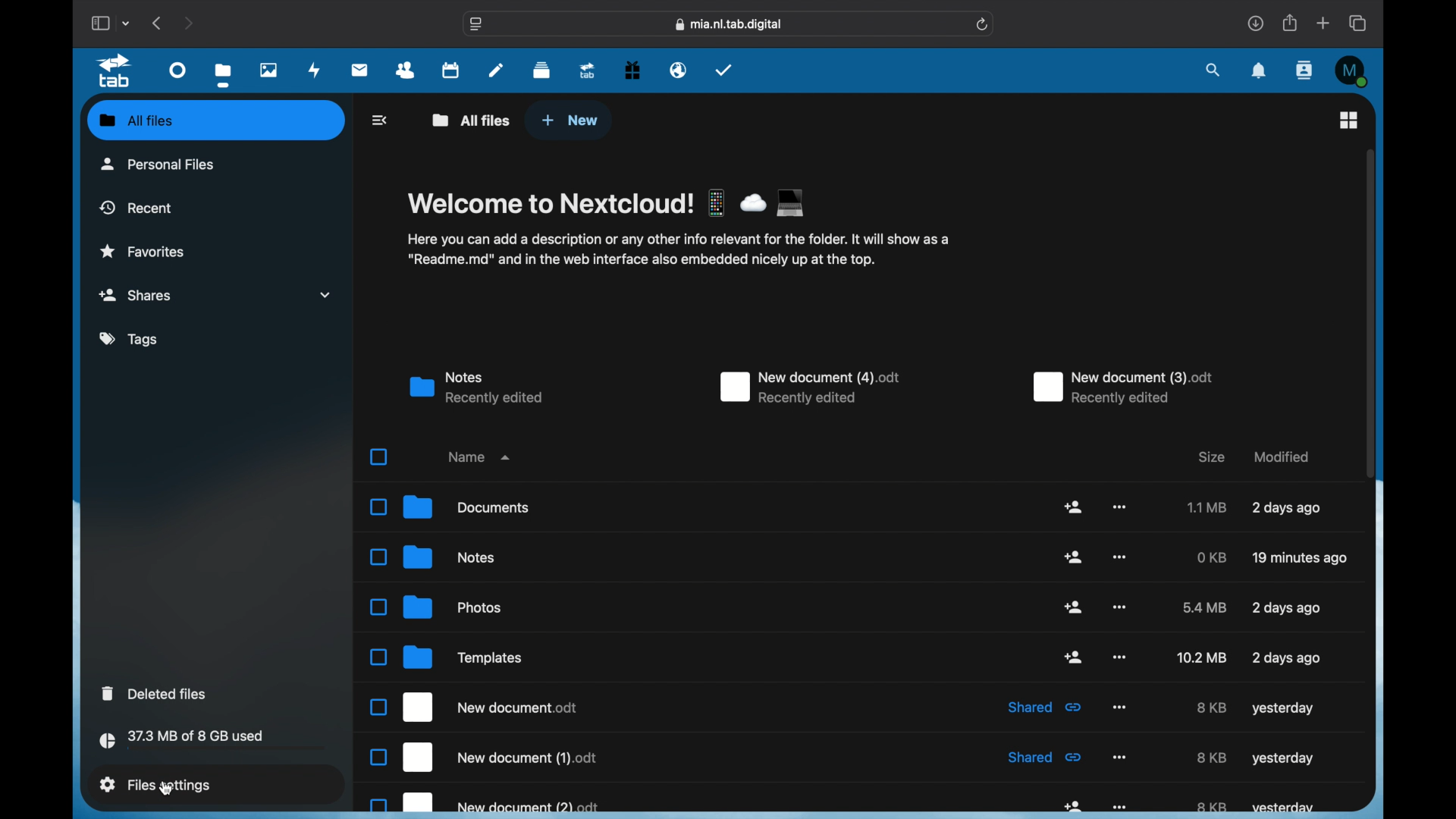 This screenshot has width=1456, height=819. I want to click on size, so click(1212, 457).